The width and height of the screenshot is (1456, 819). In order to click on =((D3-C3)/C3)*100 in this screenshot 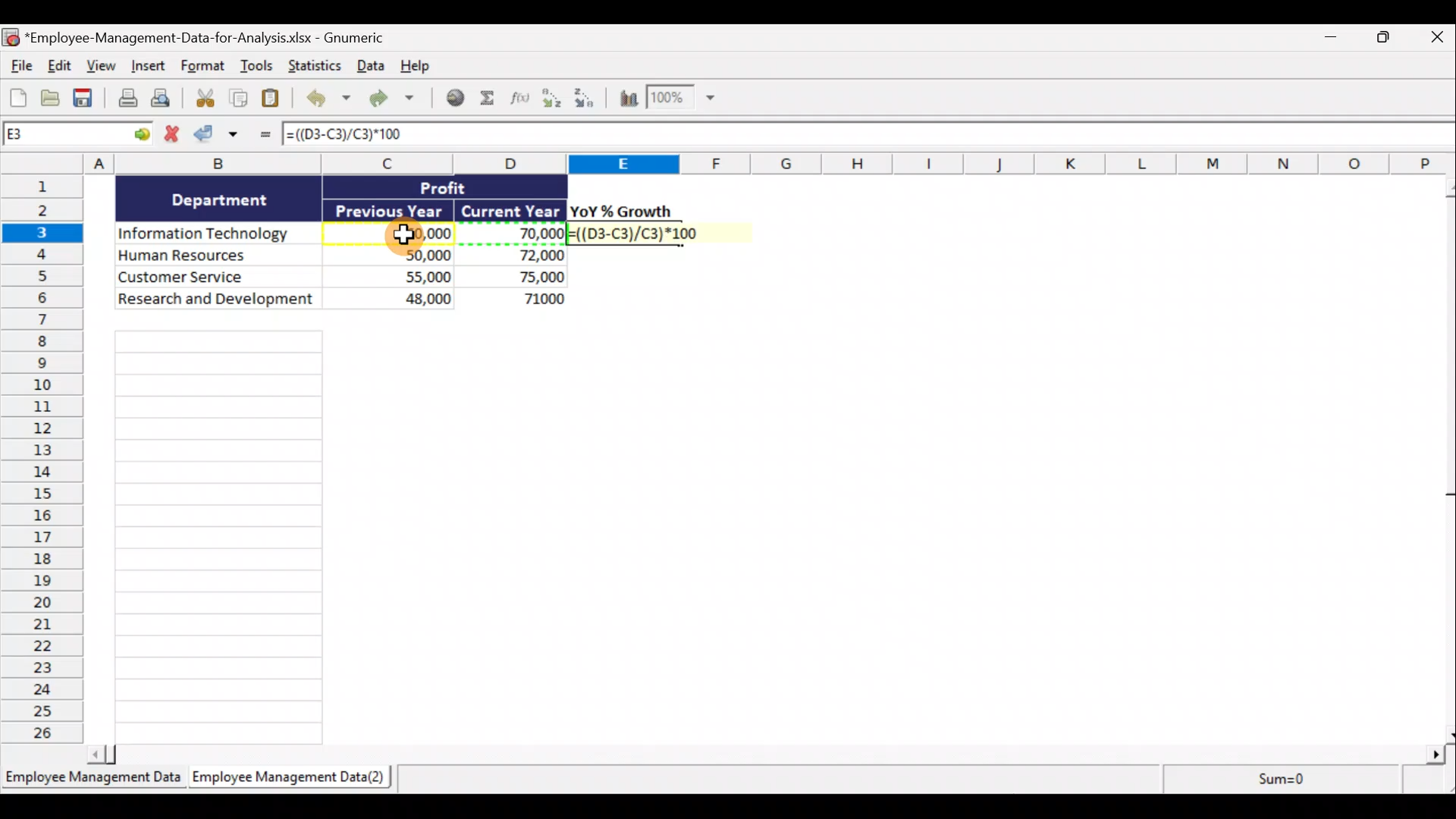, I will do `click(650, 233)`.